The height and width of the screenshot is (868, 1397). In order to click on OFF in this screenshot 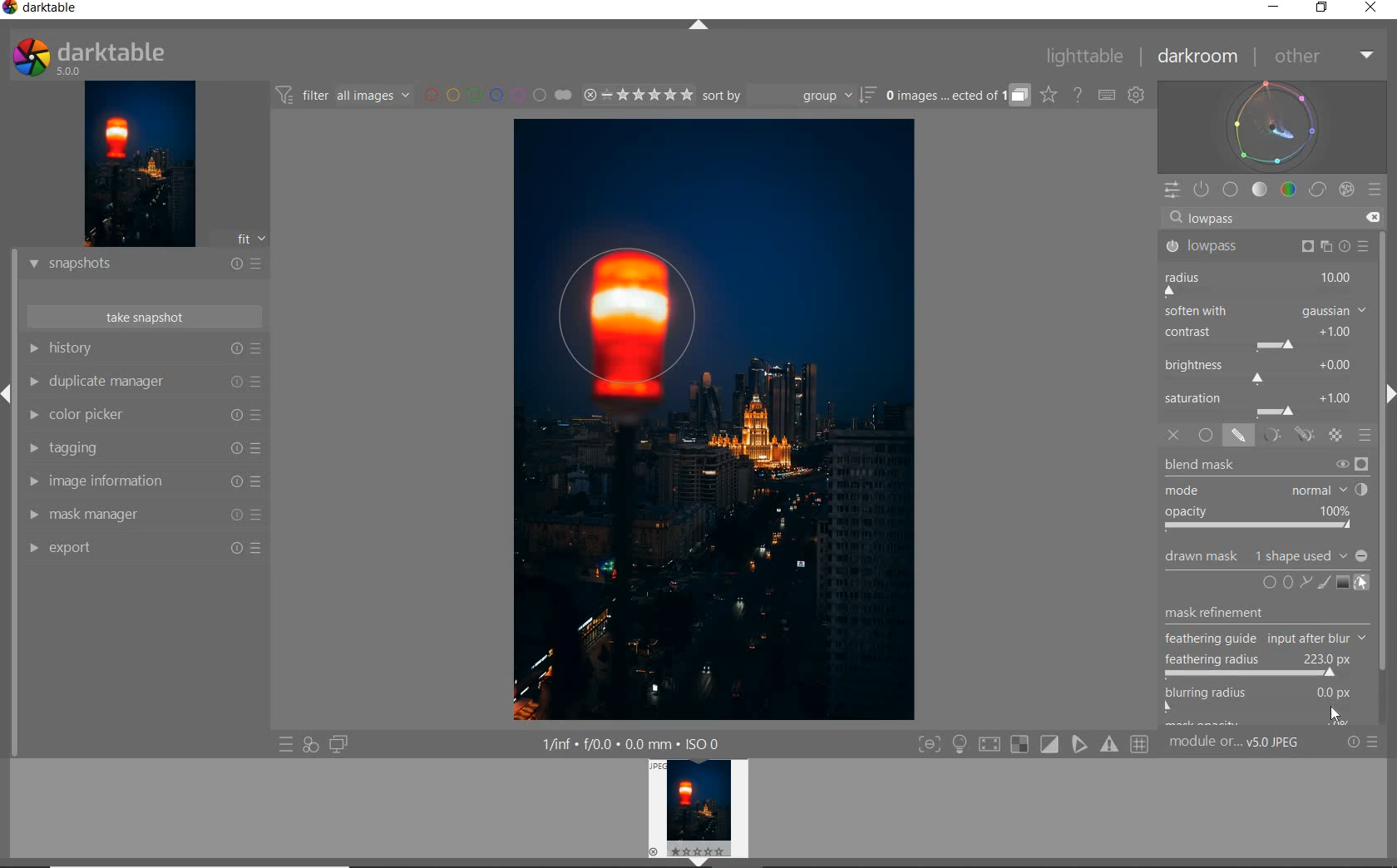, I will do `click(1173, 436)`.